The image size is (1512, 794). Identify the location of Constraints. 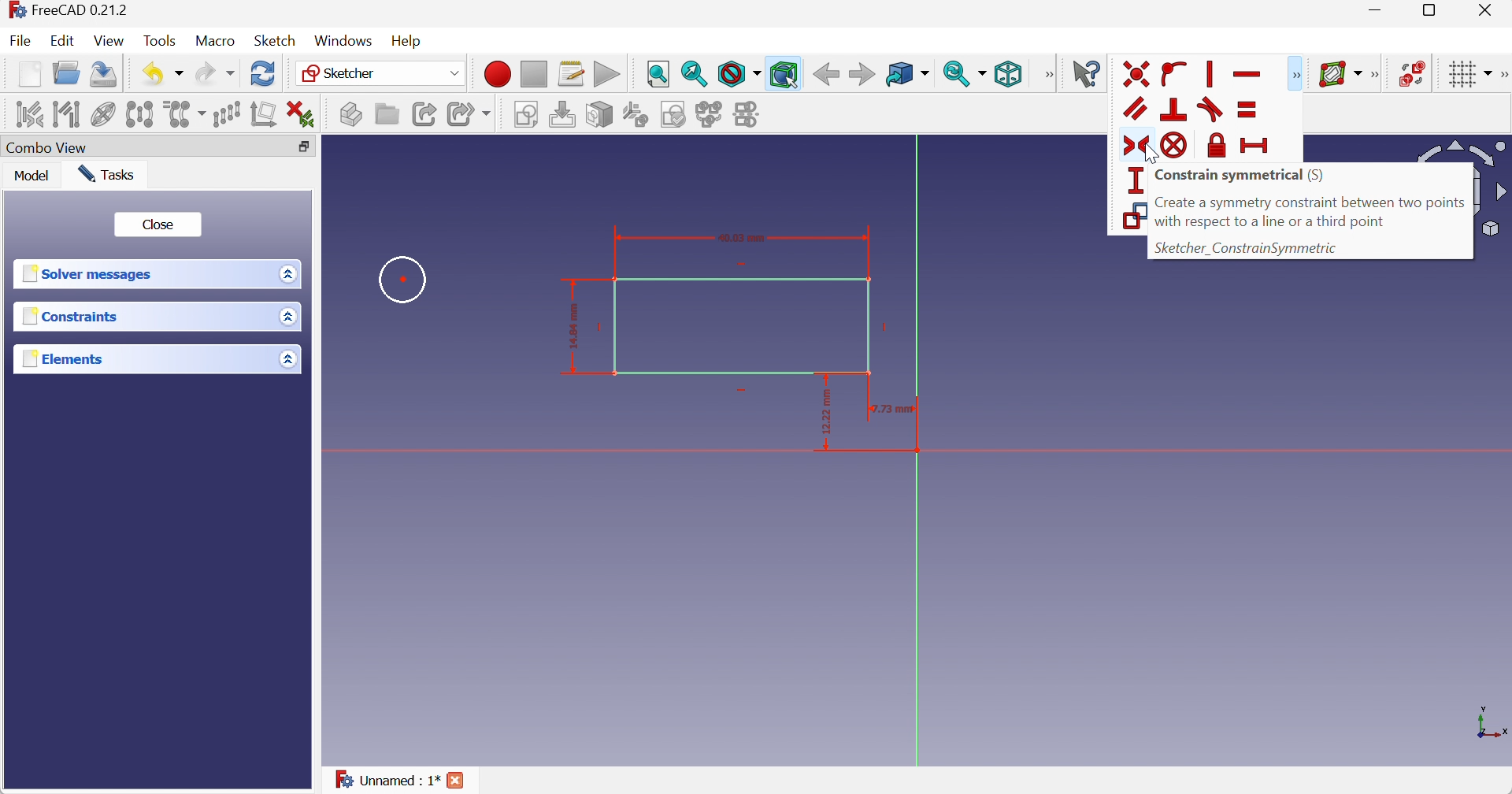
(73, 315).